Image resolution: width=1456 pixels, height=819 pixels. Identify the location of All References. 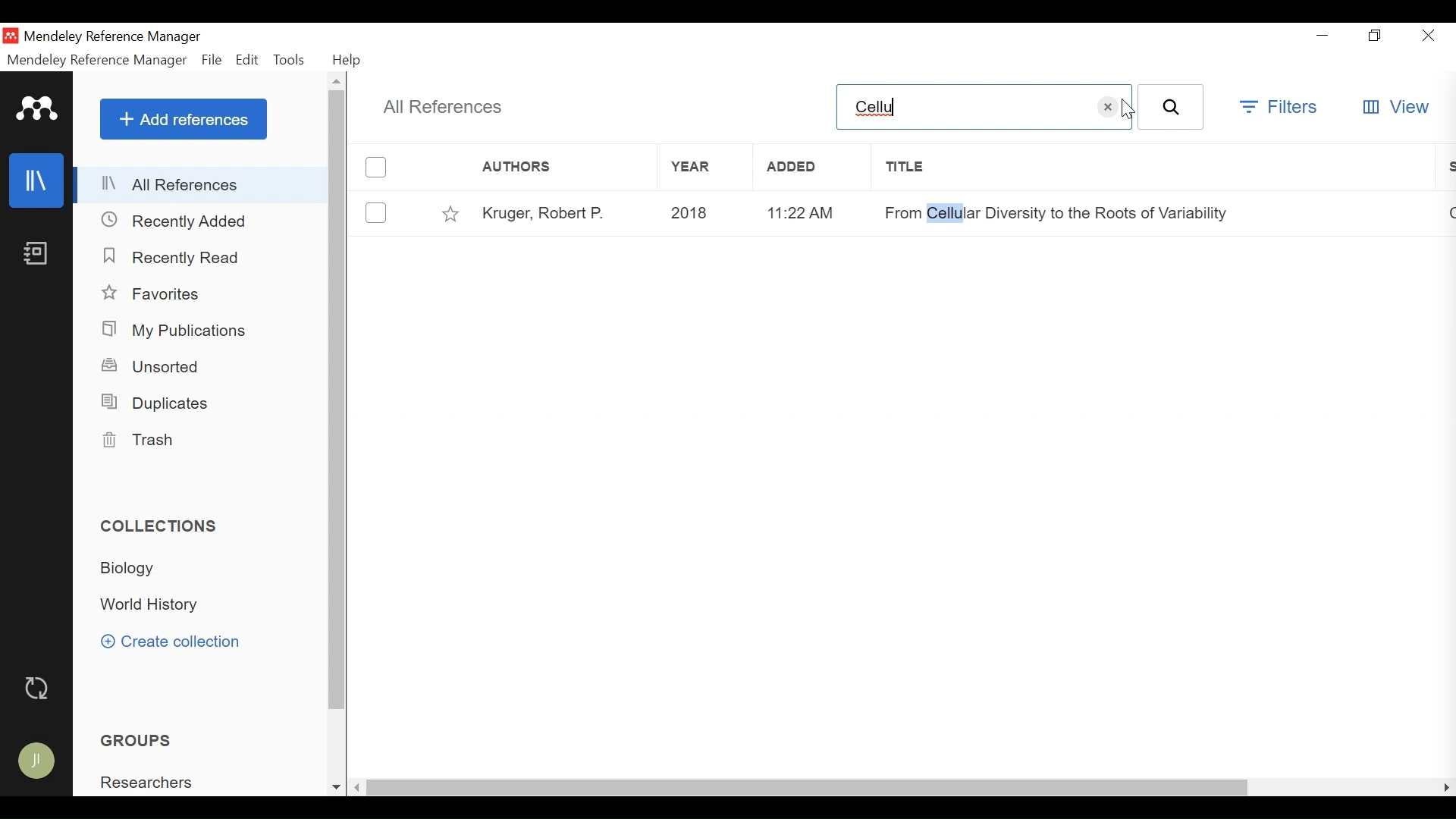
(201, 184).